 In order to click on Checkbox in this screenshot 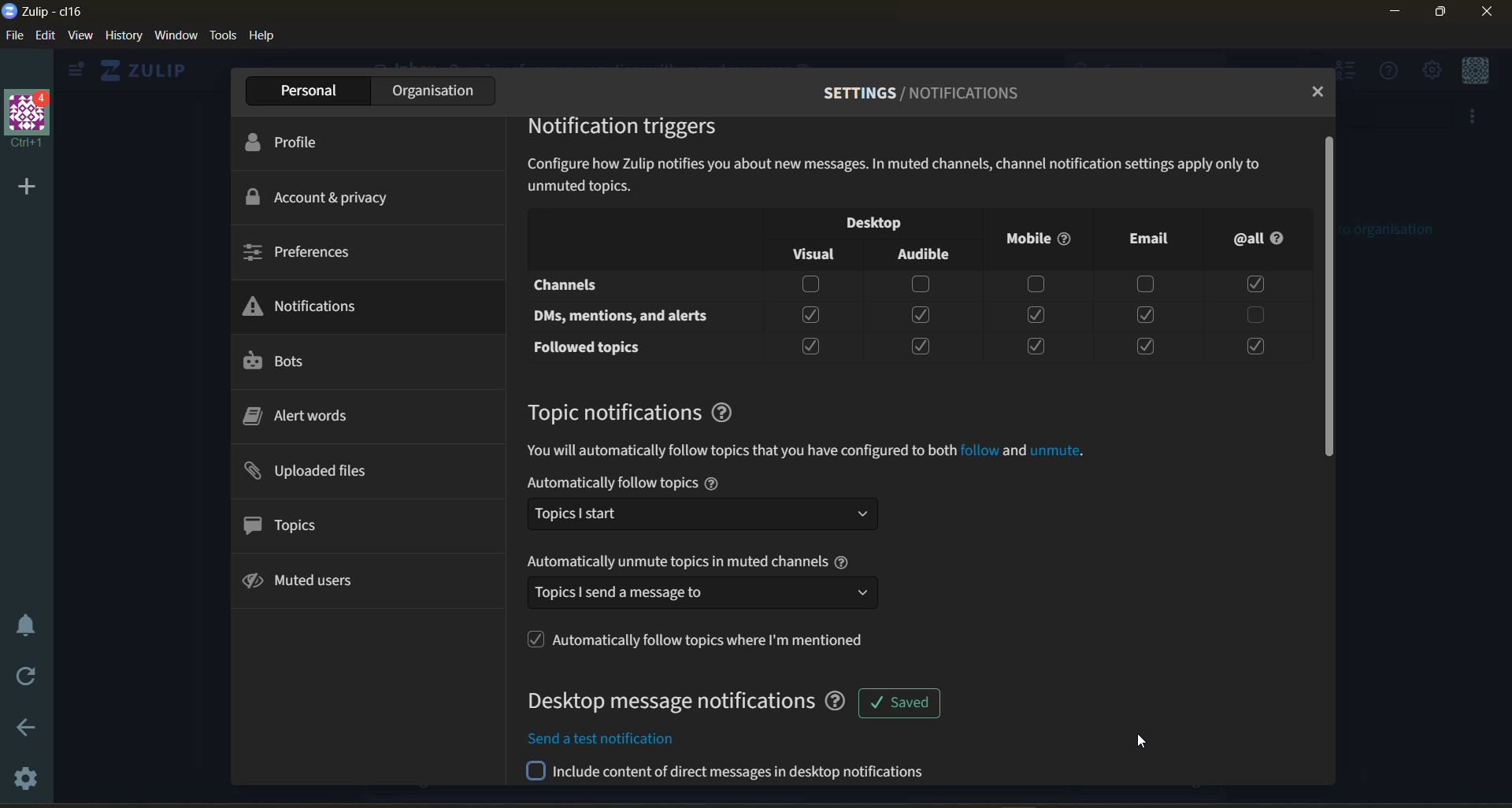, I will do `click(922, 315)`.